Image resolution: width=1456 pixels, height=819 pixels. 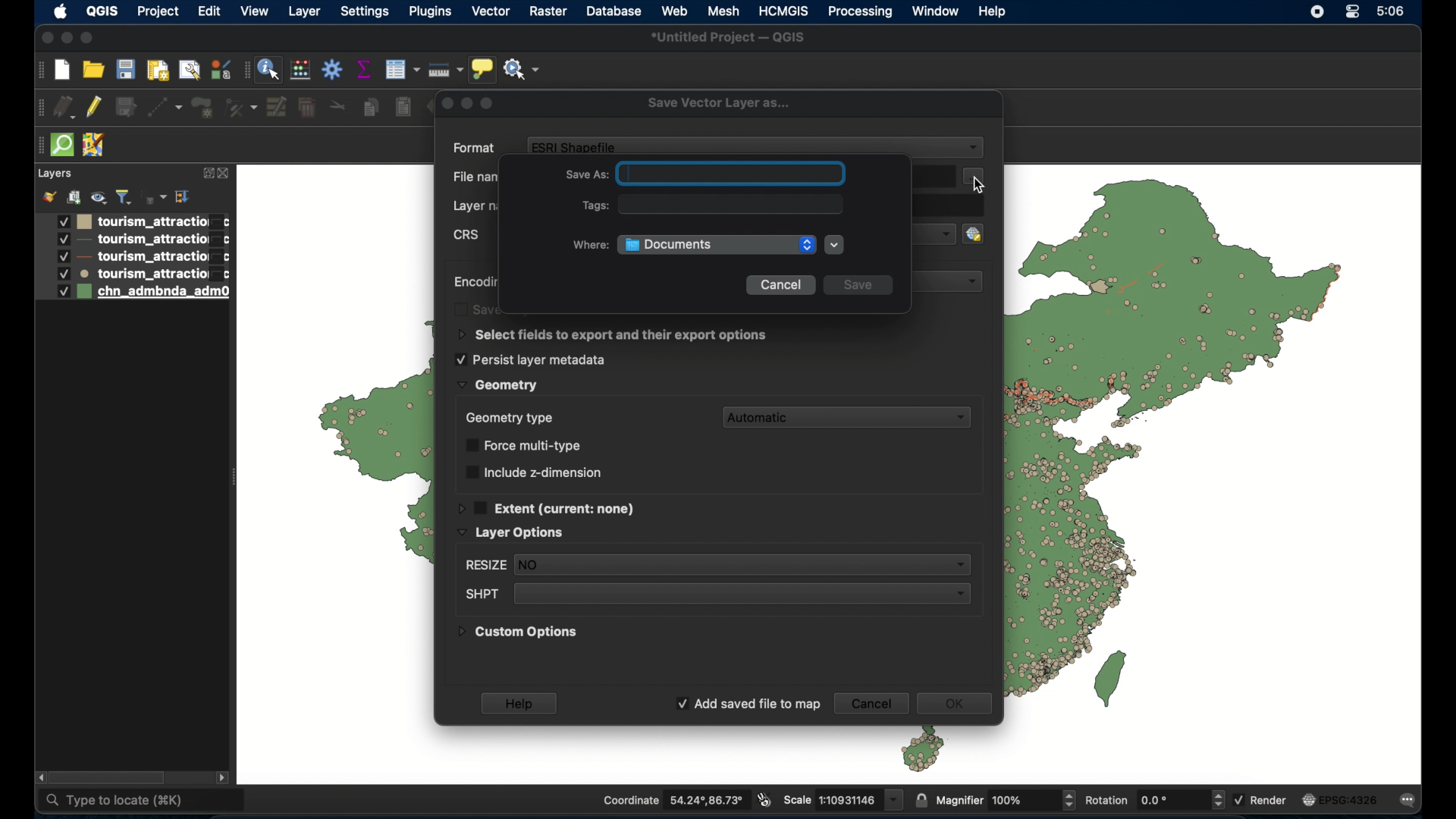 I want to click on drag handle, so click(x=37, y=146).